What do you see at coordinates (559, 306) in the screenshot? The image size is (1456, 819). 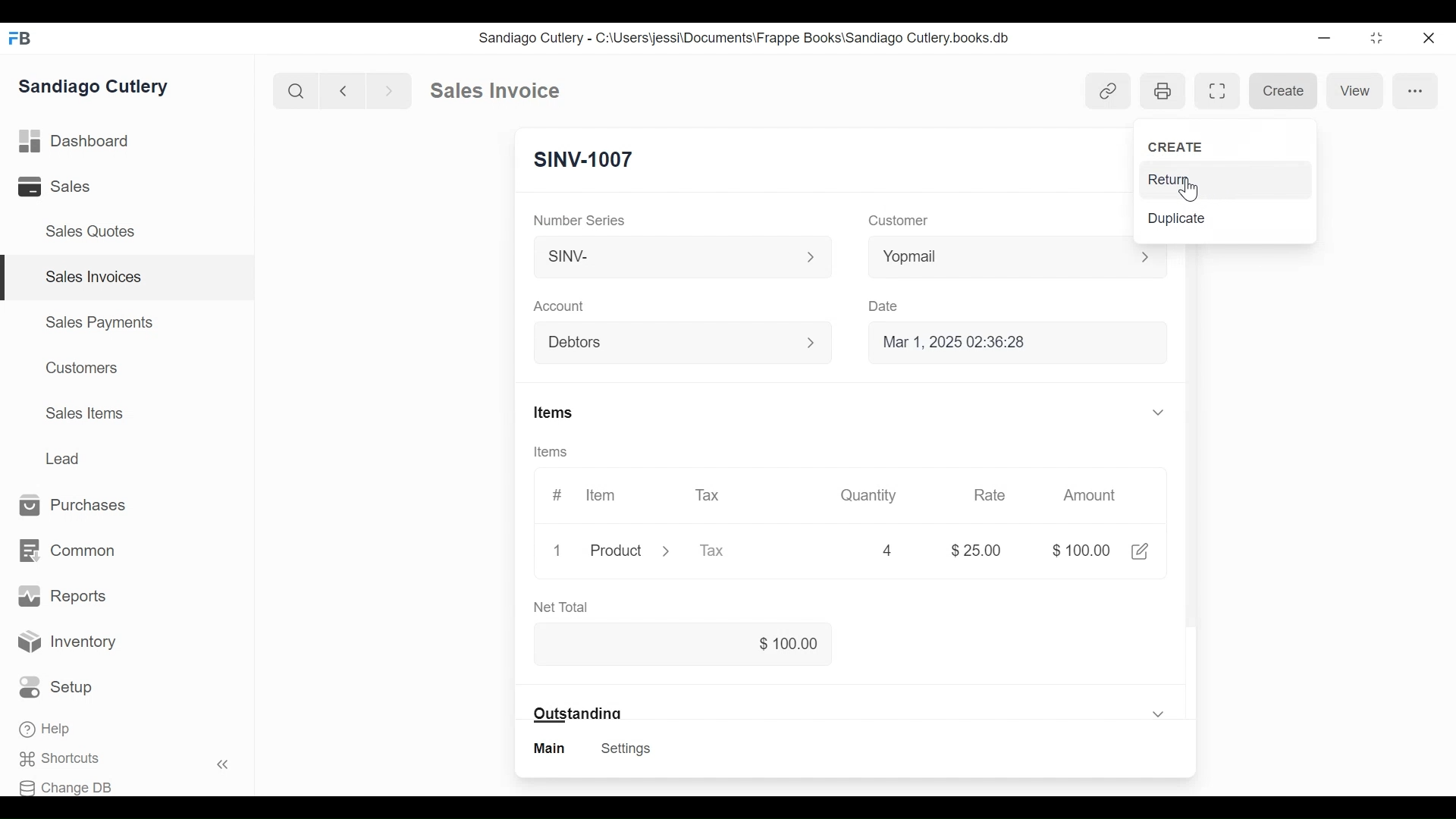 I see `Account` at bounding box center [559, 306].